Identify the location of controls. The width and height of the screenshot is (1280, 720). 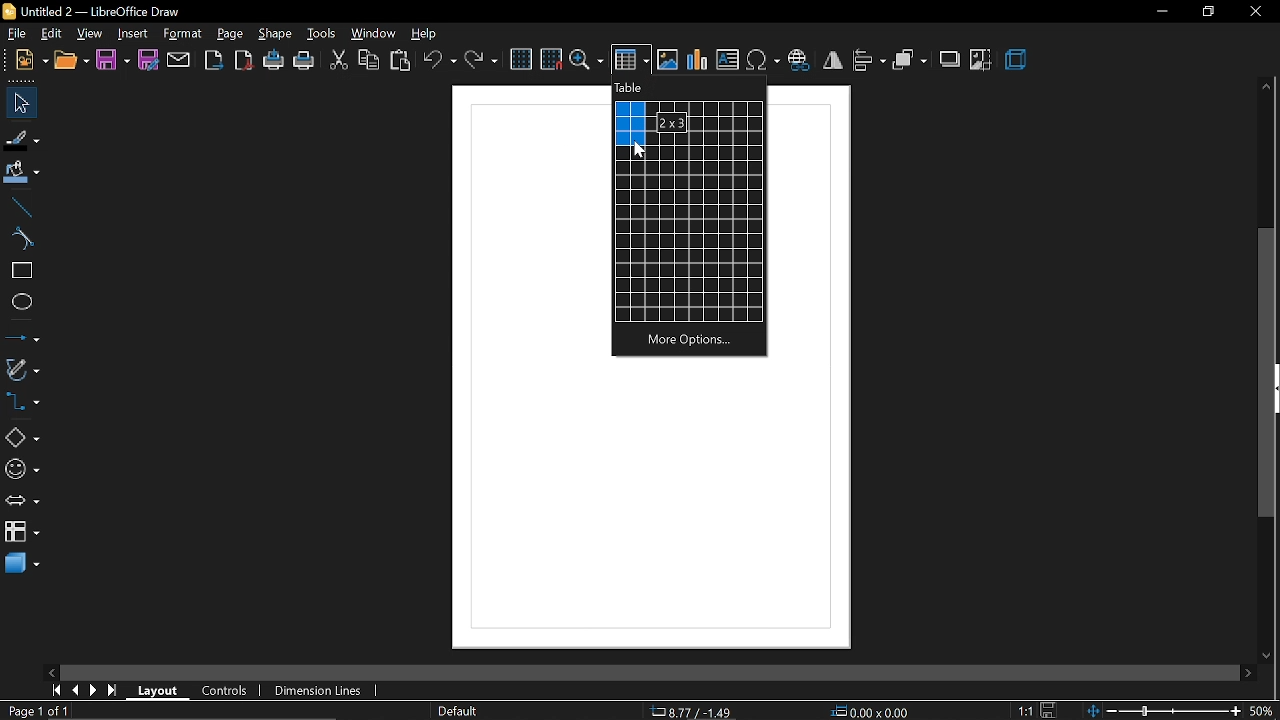
(226, 690).